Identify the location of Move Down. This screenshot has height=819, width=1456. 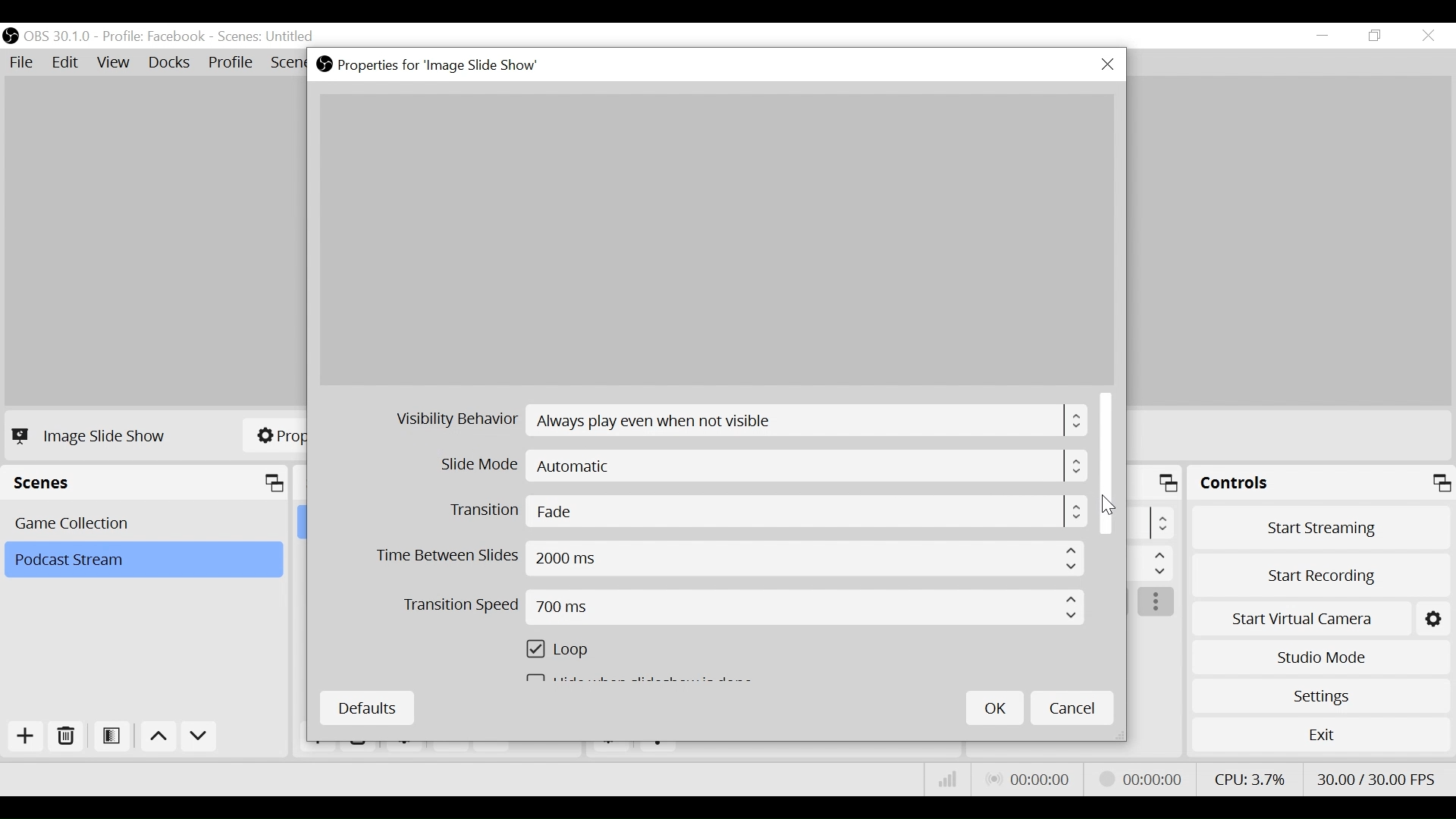
(199, 739).